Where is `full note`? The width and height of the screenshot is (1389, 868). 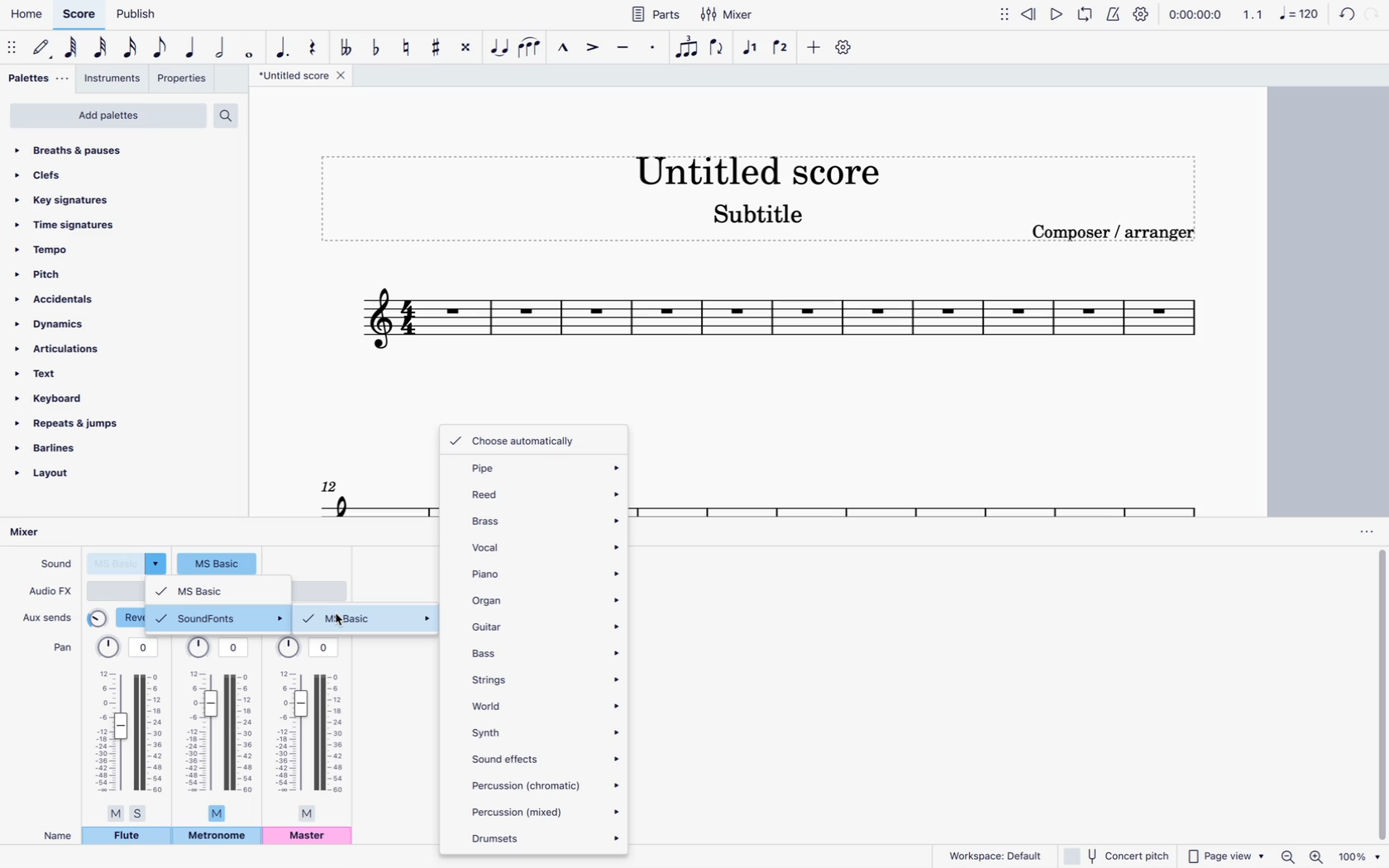 full note is located at coordinates (250, 48).